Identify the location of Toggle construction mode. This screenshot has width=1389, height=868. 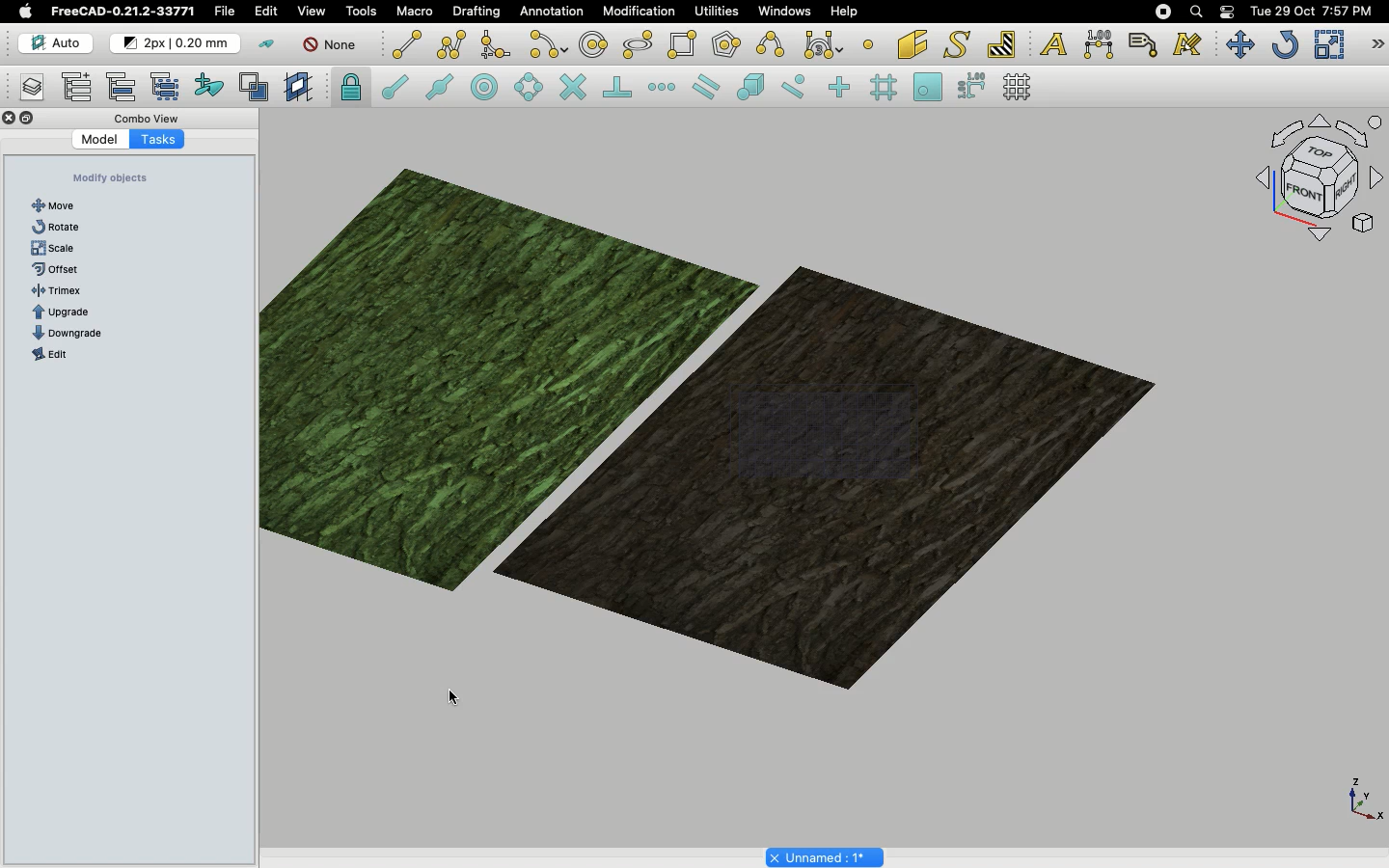
(267, 44).